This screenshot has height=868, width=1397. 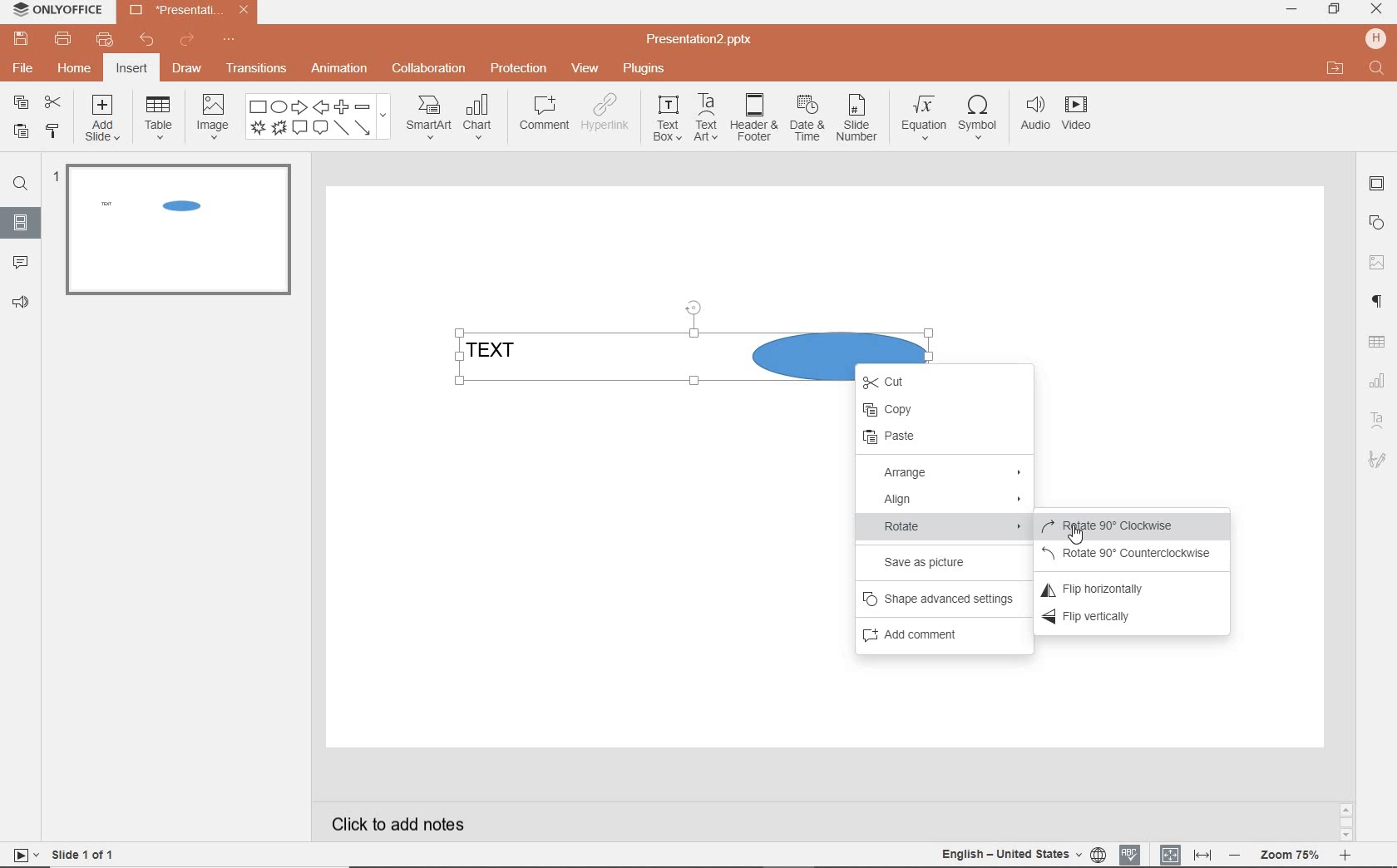 What do you see at coordinates (228, 40) in the screenshot?
I see `customize quick access toolbar` at bounding box center [228, 40].